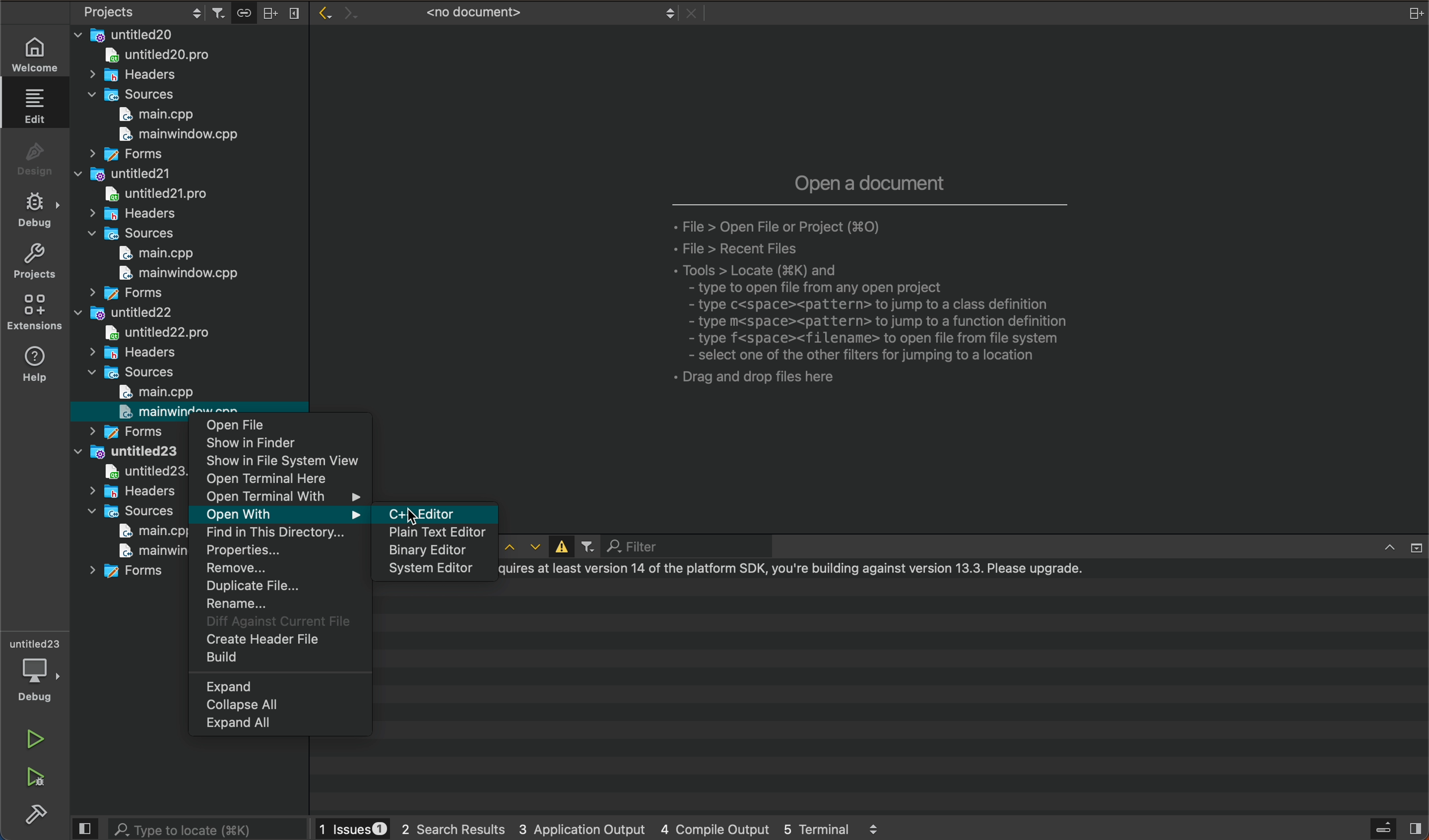 The height and width of the screenshot is (840, 1429). What do you see at coordinates (270, 11) in the screenshot?
I see `split editor horizontally` at bounding box center [270, 11].